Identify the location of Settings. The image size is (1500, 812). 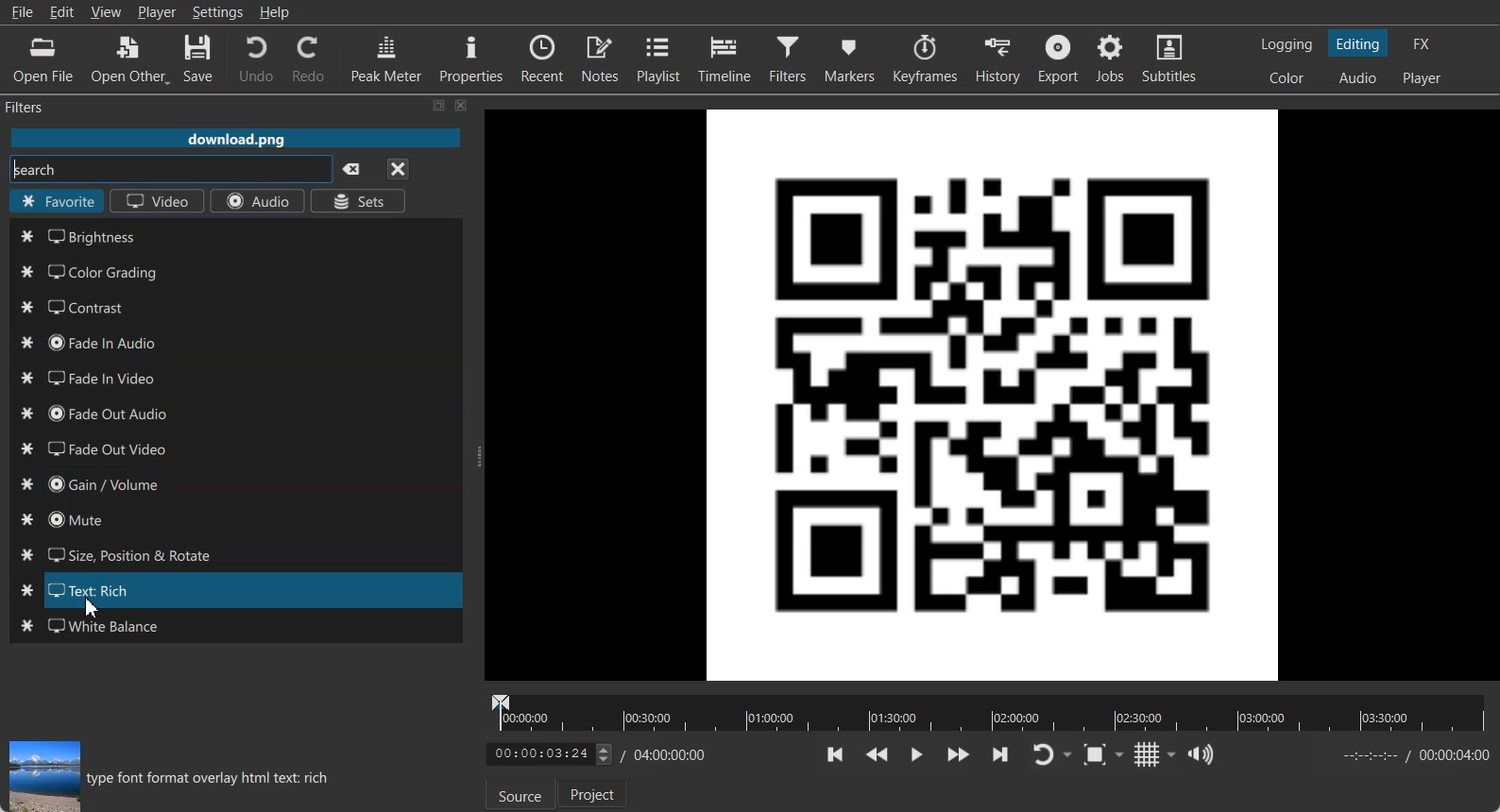
(218, 12).